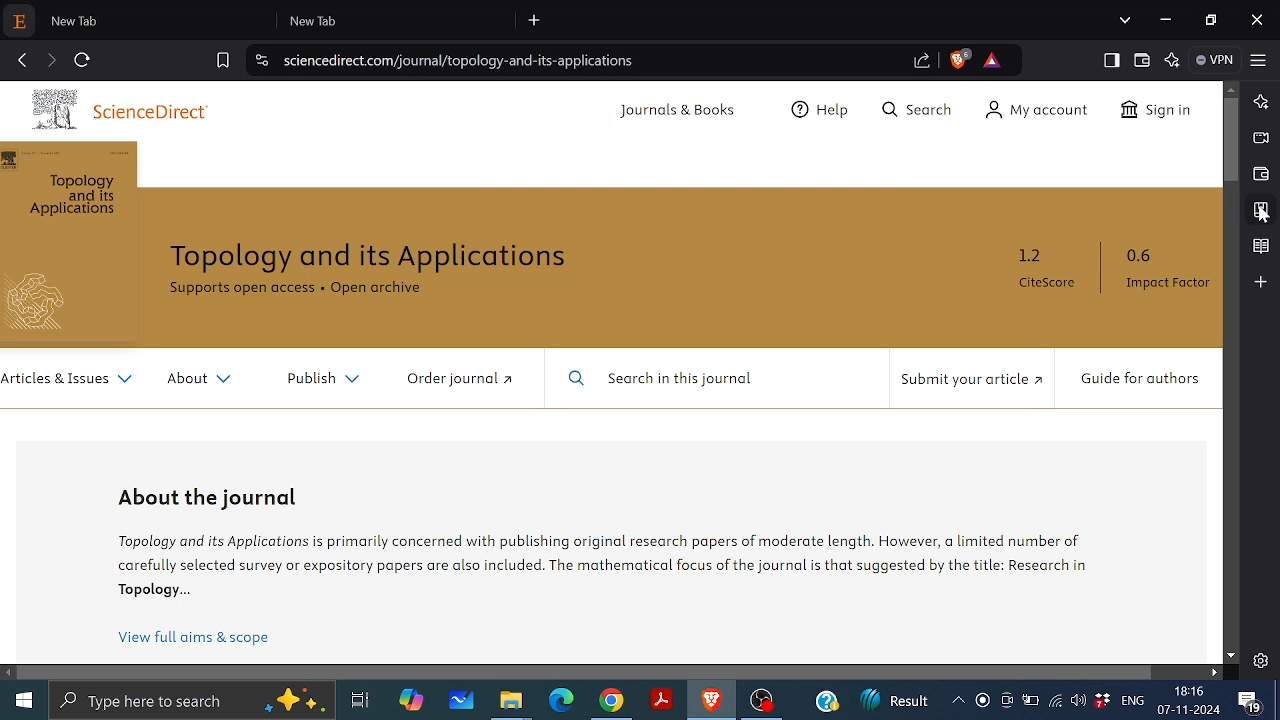 The height and width of the screenshot is (720, 1280). What do you see at coordinates (1031, 112) in the screenshot?
I see `My Account` at bounding box center [1031, 112].